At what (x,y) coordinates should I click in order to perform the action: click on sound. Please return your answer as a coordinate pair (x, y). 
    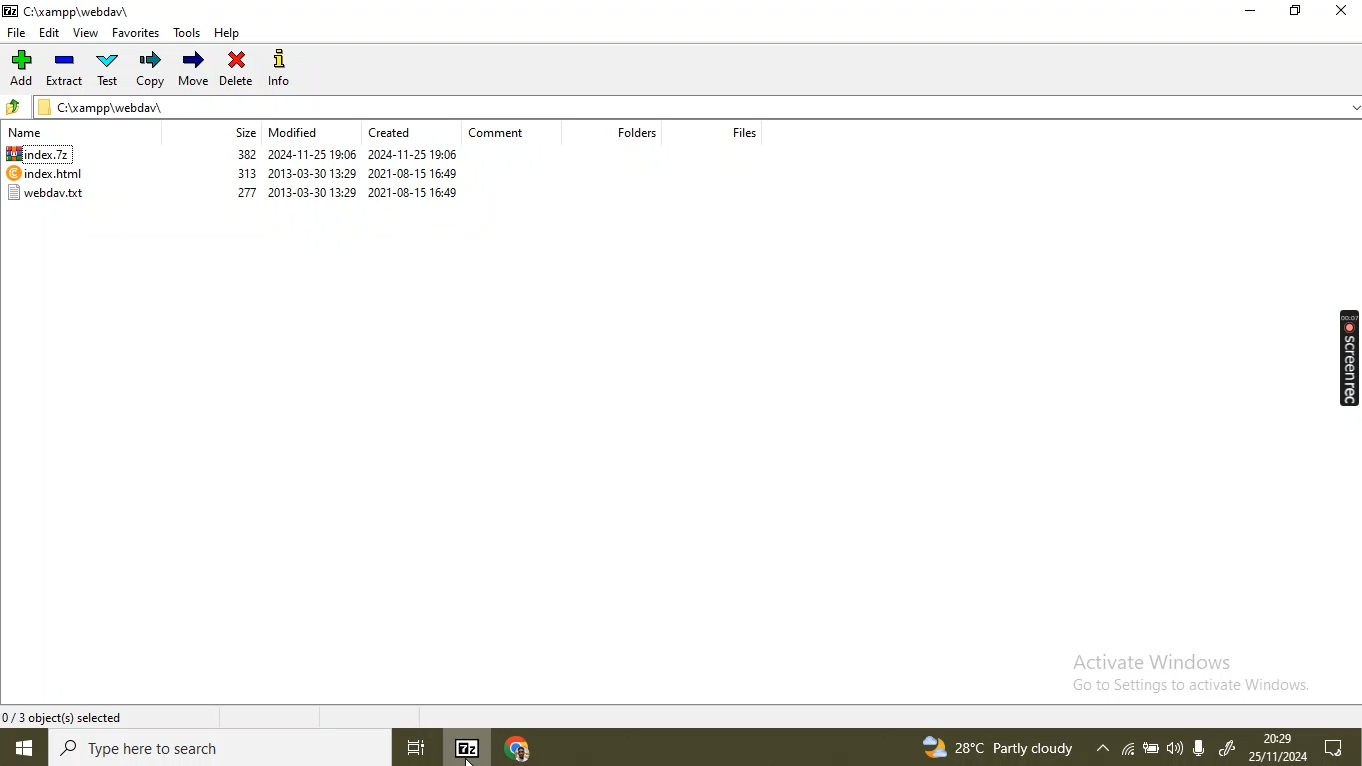
    Looking at the image, I should click on (1198, 748).